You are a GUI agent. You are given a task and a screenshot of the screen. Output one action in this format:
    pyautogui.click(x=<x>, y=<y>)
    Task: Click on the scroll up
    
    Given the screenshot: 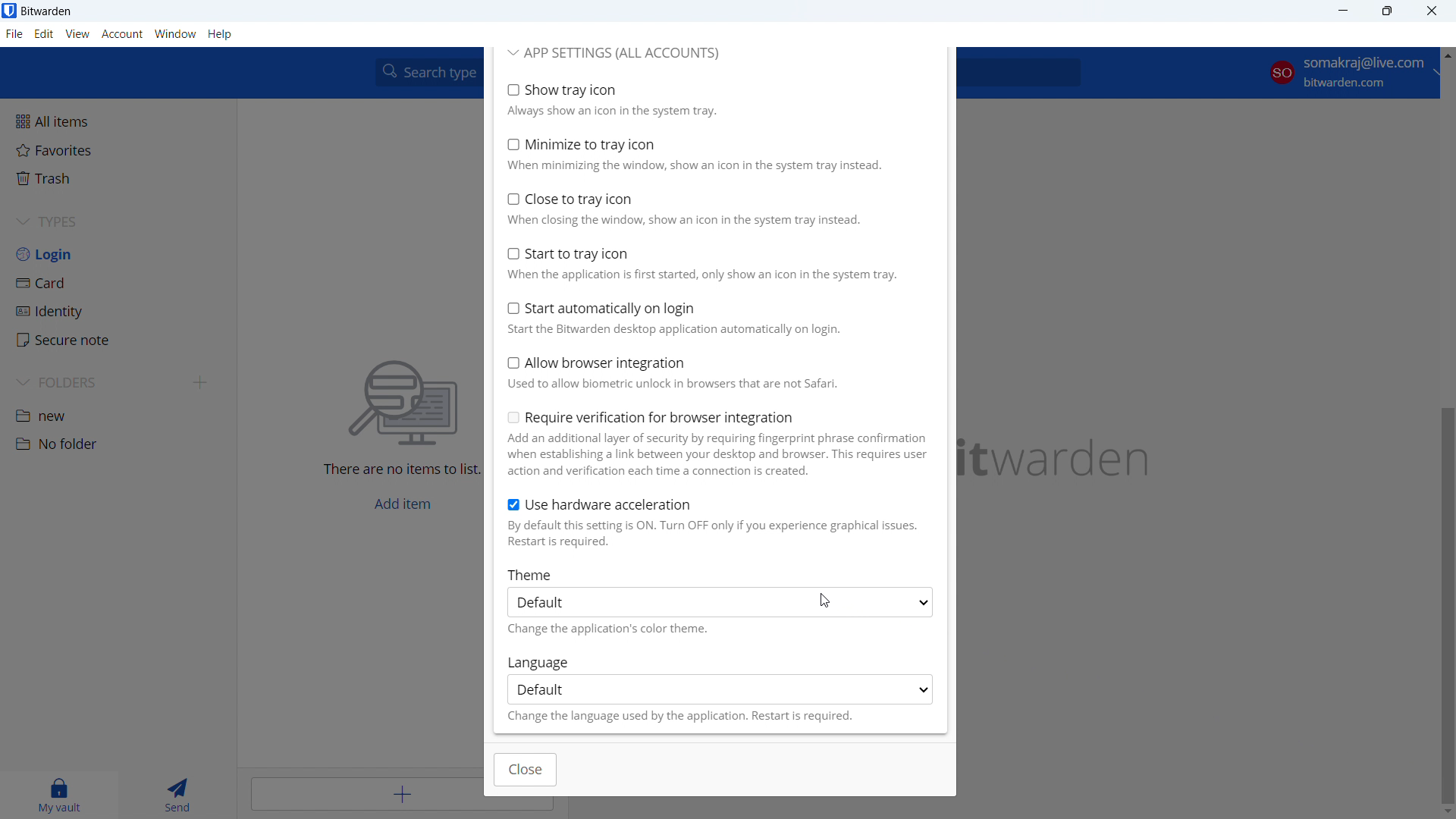 What is the action you would take?
    pyautogui.click(x=1446, y=52)
    